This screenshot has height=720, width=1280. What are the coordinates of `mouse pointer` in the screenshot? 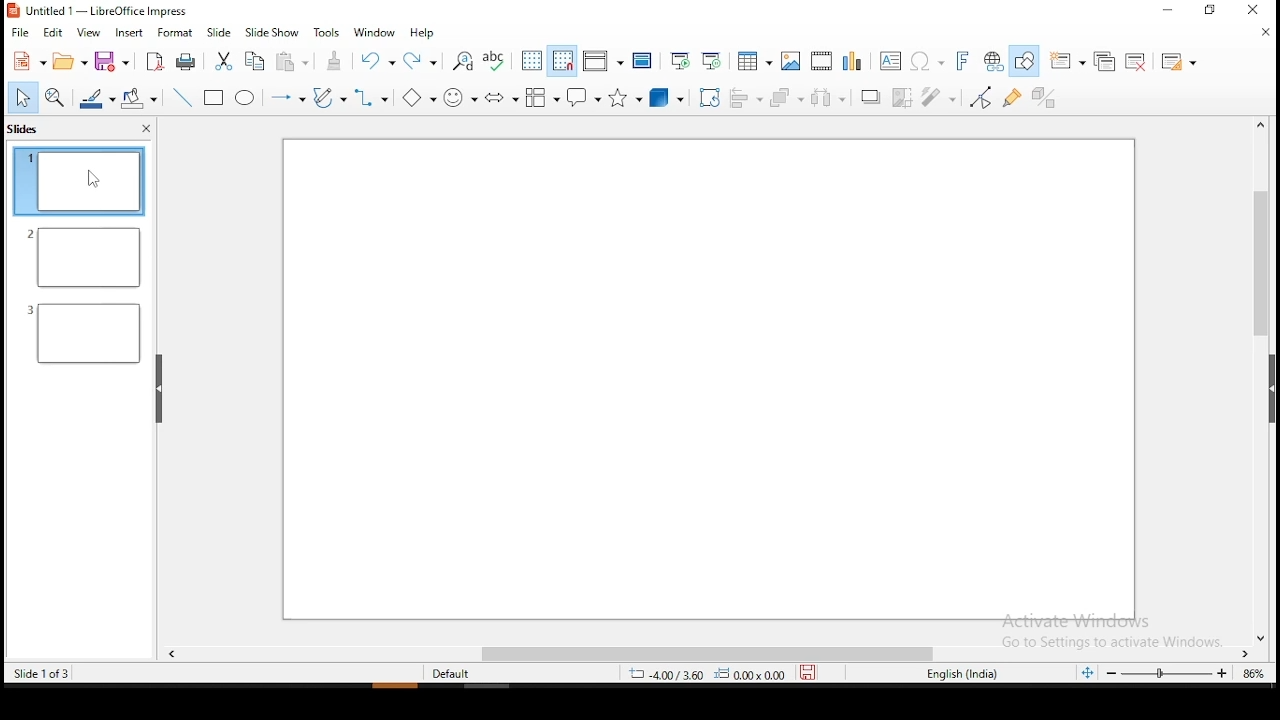 It's located at (96, 178).